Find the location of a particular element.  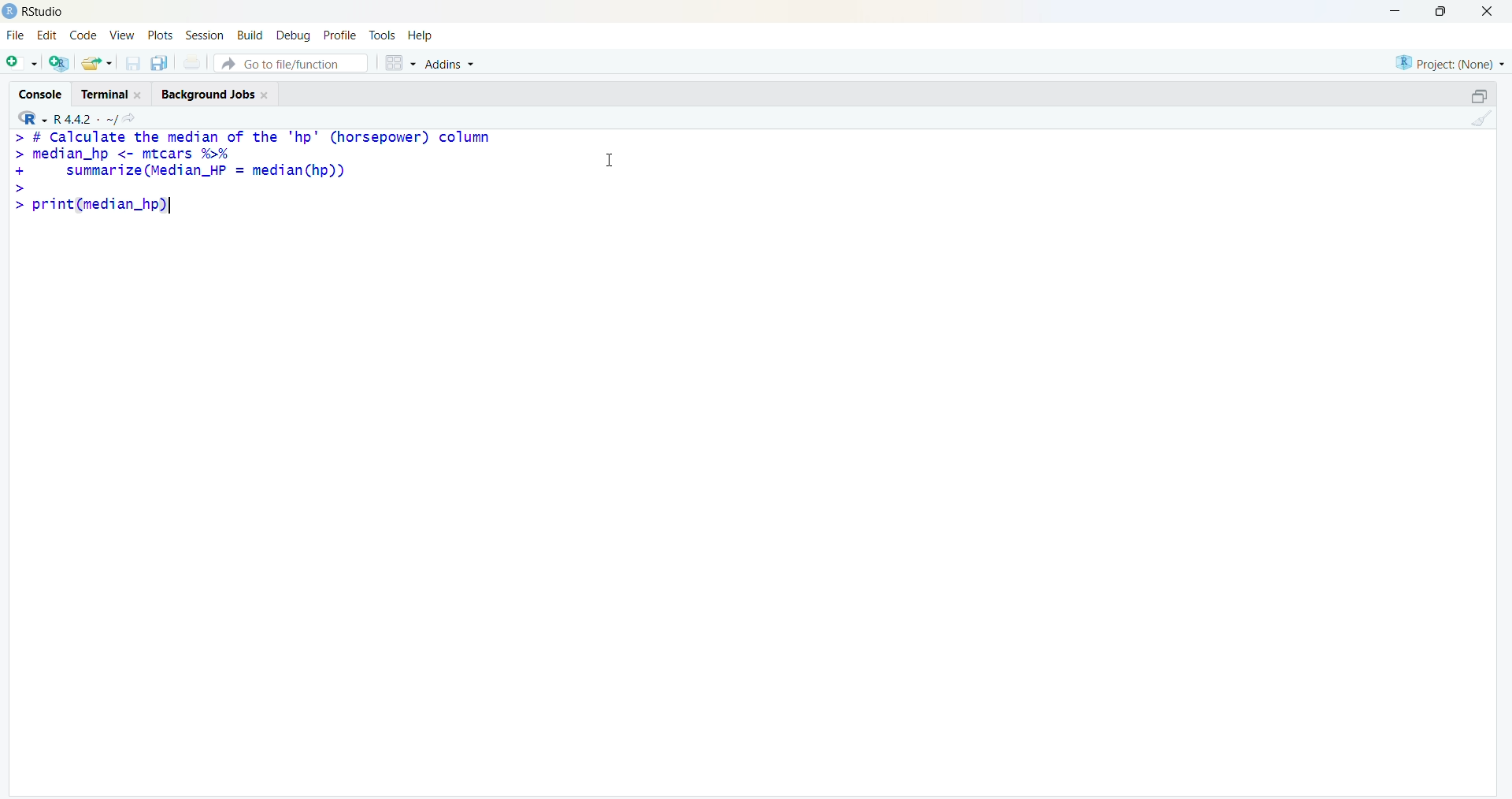

view is located at coordinates (123, 36).